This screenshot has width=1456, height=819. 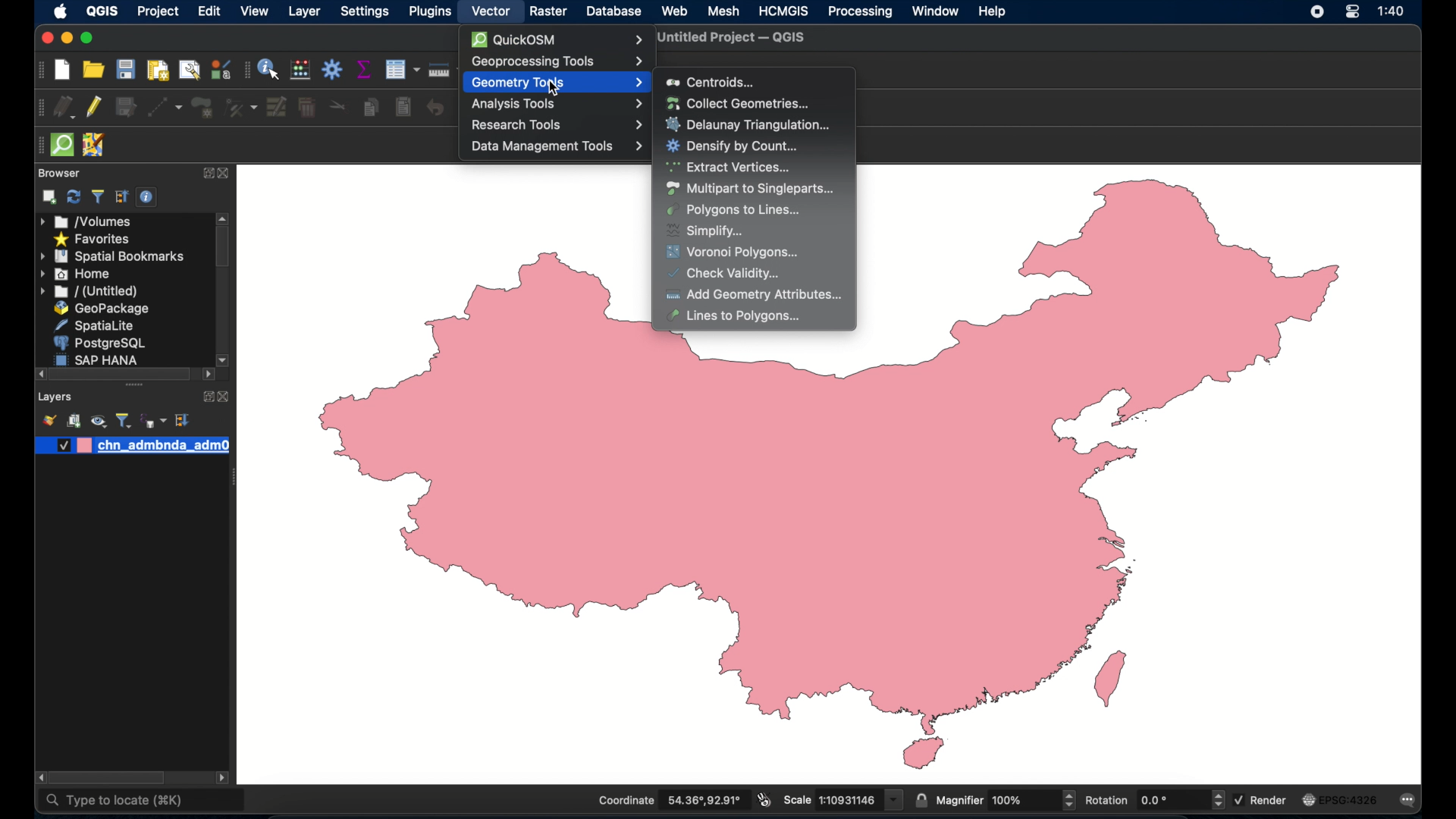 What do you see at coordinates (125, 108) in the screenshot?
I see `save edits` at bounding box center [125, 108].